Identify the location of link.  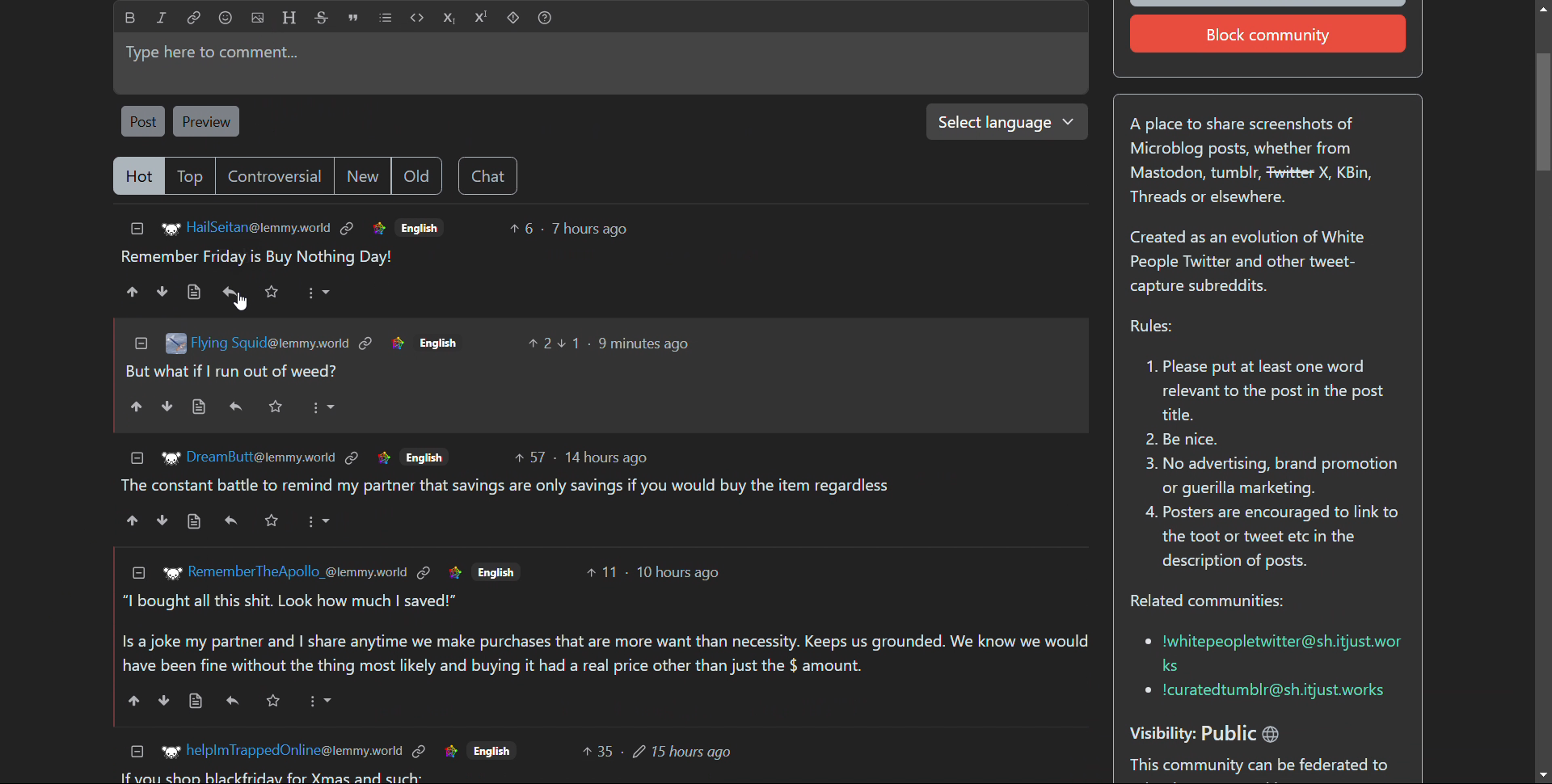
(348, 229).